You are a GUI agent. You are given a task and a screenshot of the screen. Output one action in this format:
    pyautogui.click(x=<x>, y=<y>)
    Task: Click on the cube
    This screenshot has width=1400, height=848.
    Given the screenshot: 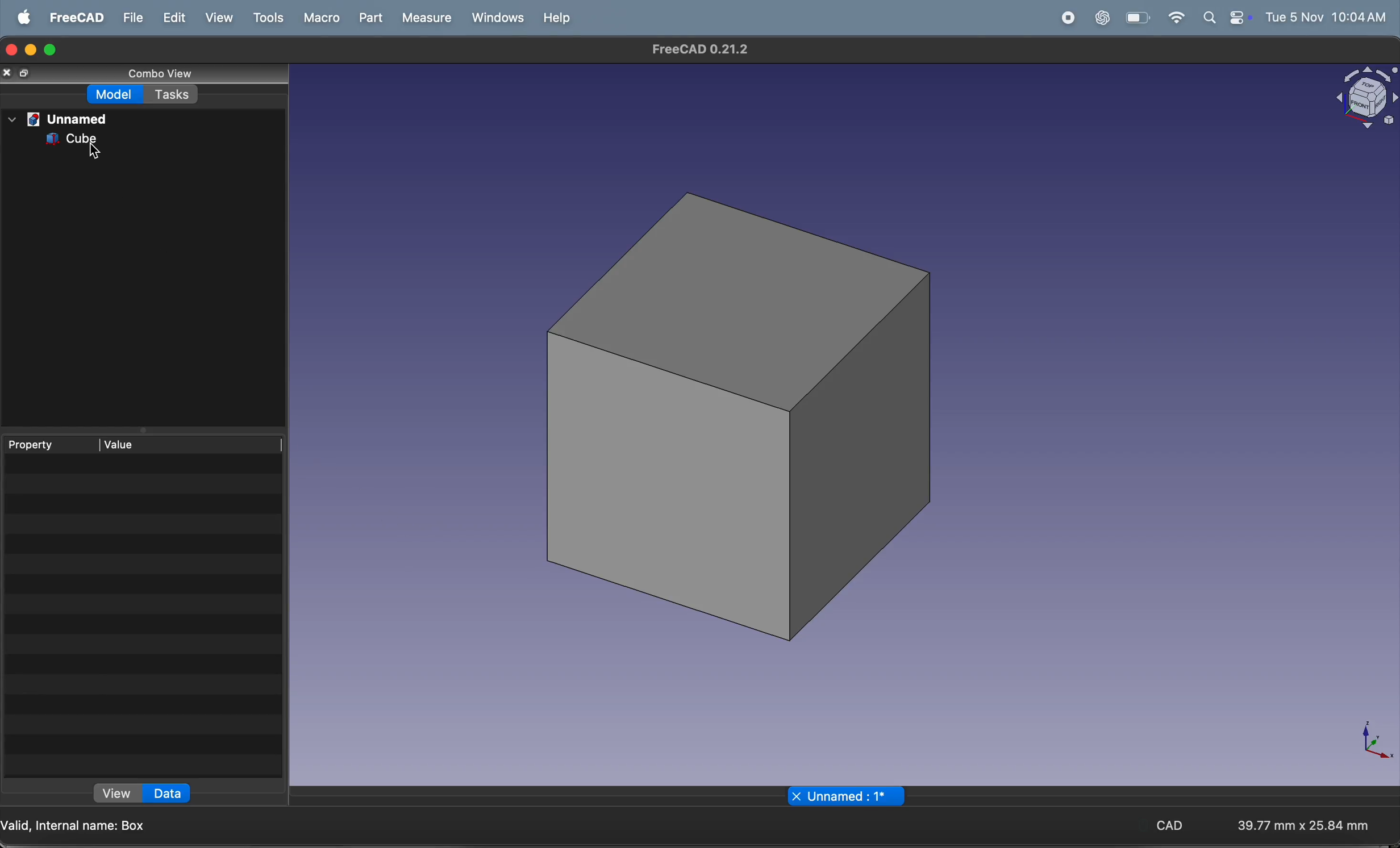 What is the action you would take?
    pyautogui.click(x=80, y=137)
    